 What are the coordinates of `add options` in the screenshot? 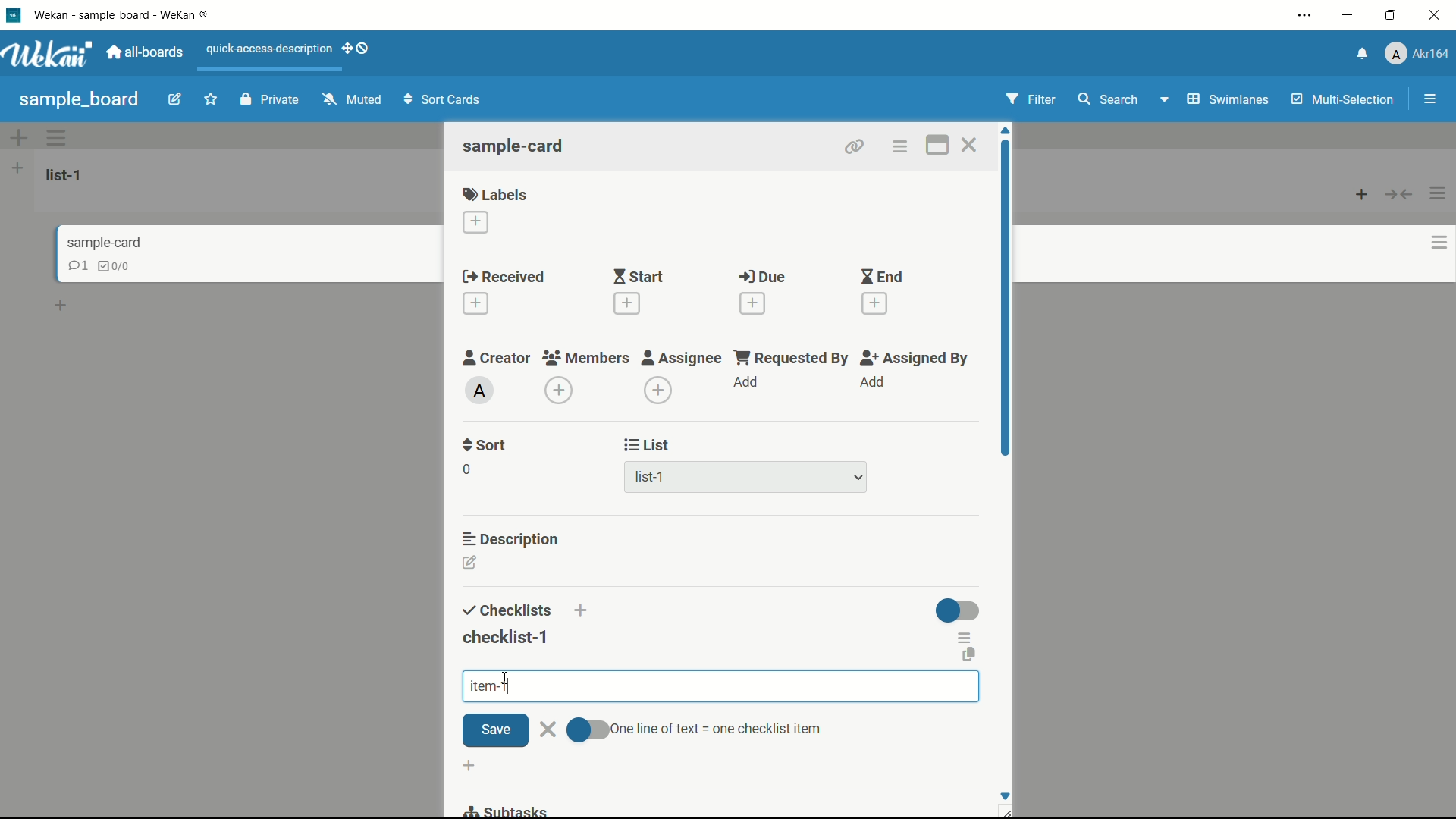 It's located at (16, 136).